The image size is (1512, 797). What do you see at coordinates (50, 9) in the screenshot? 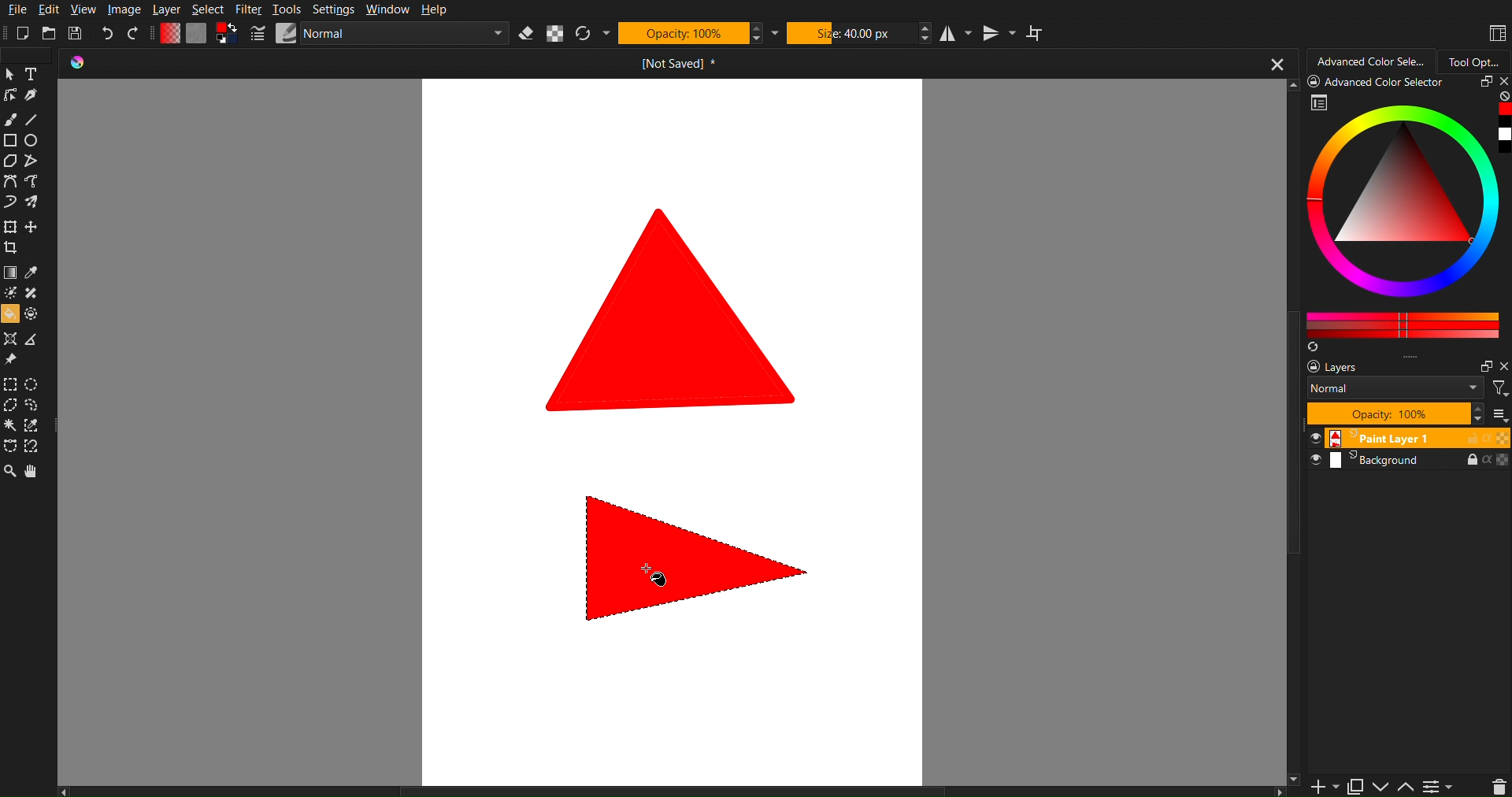
I see `Edit` at bounding box center [50, 9].